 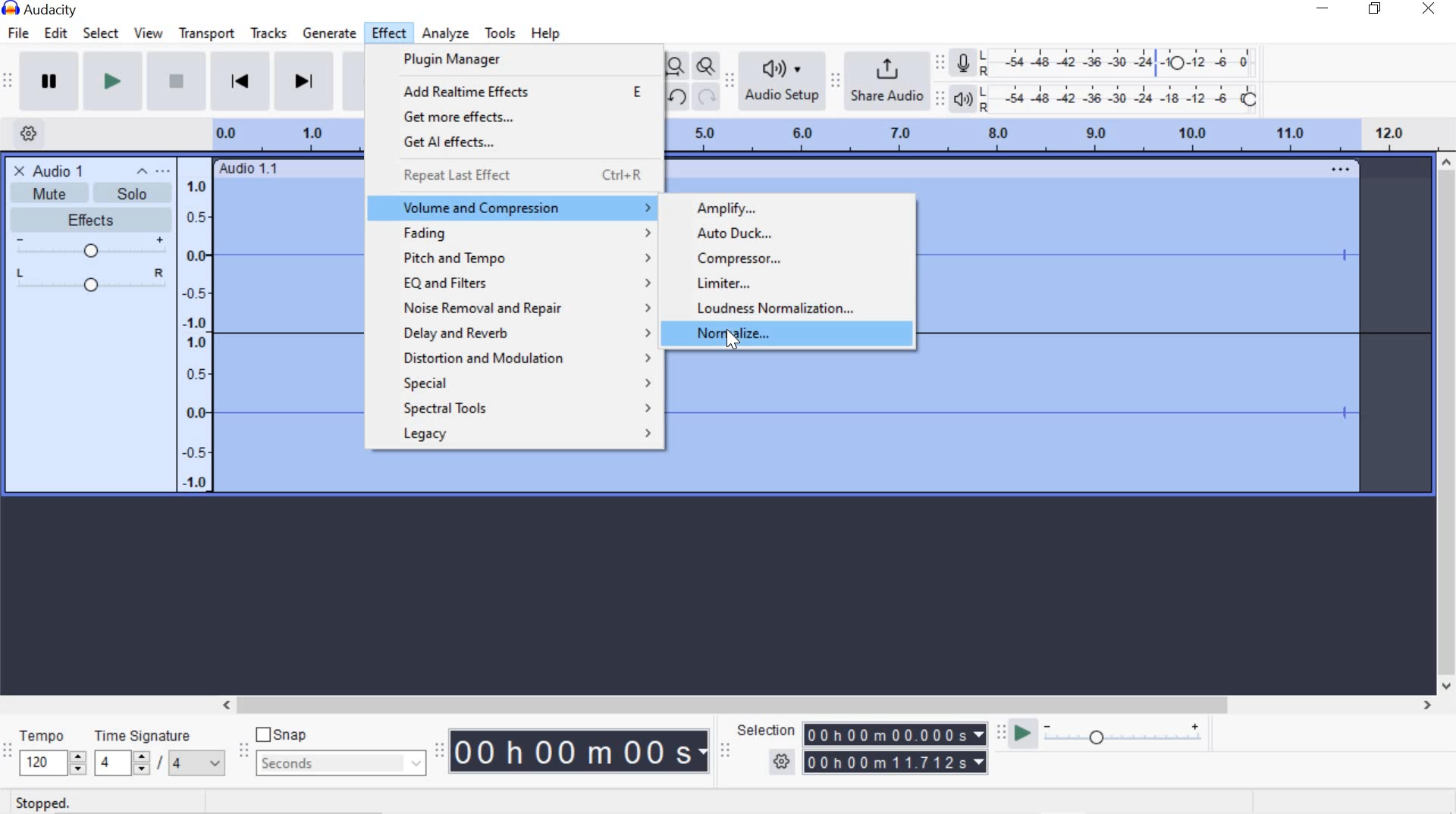 I want to click on Timeline option, so click(x=23, y=132).